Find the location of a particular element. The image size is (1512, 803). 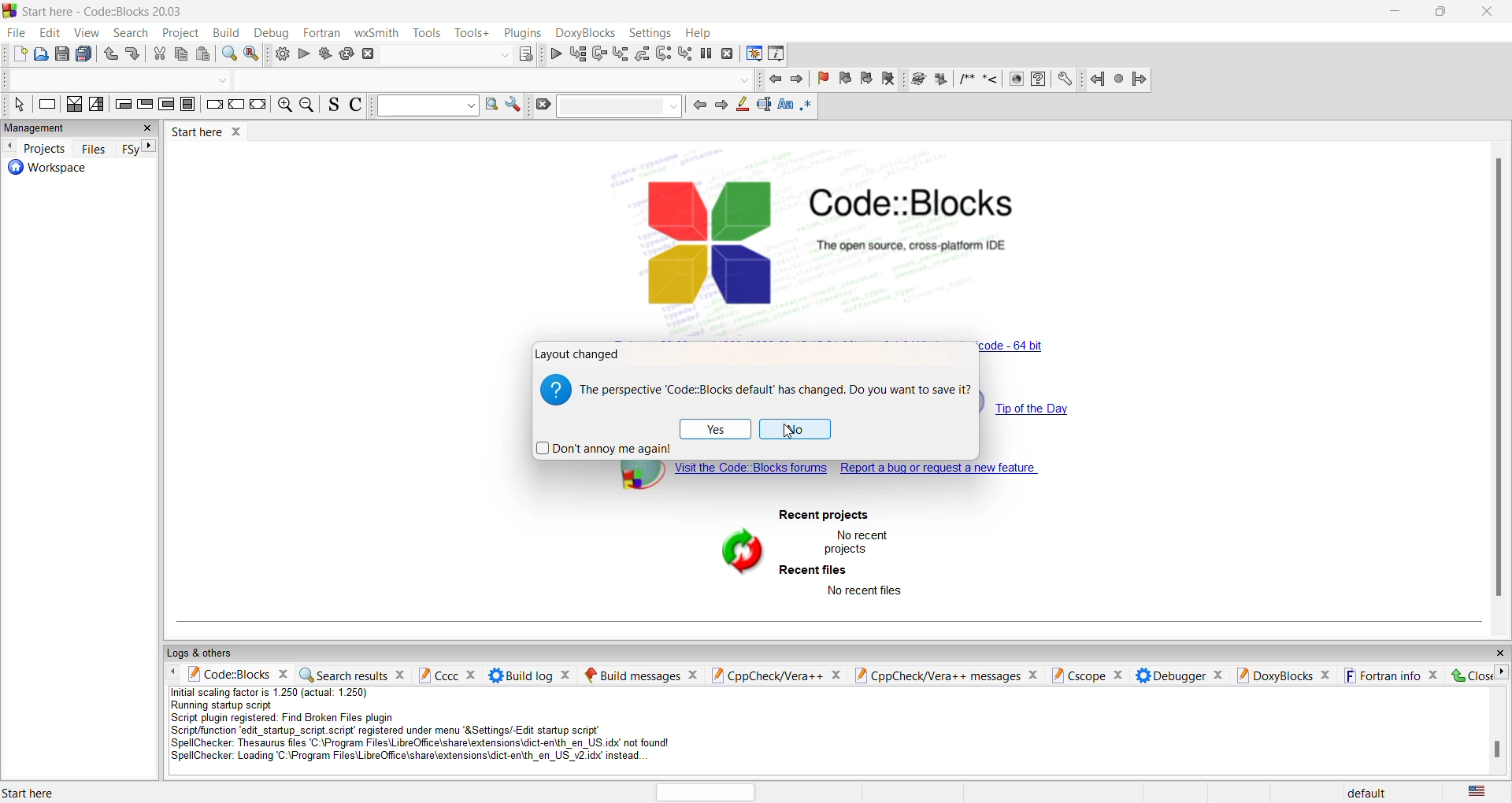

code block logo is located at coordinates (708, 239).